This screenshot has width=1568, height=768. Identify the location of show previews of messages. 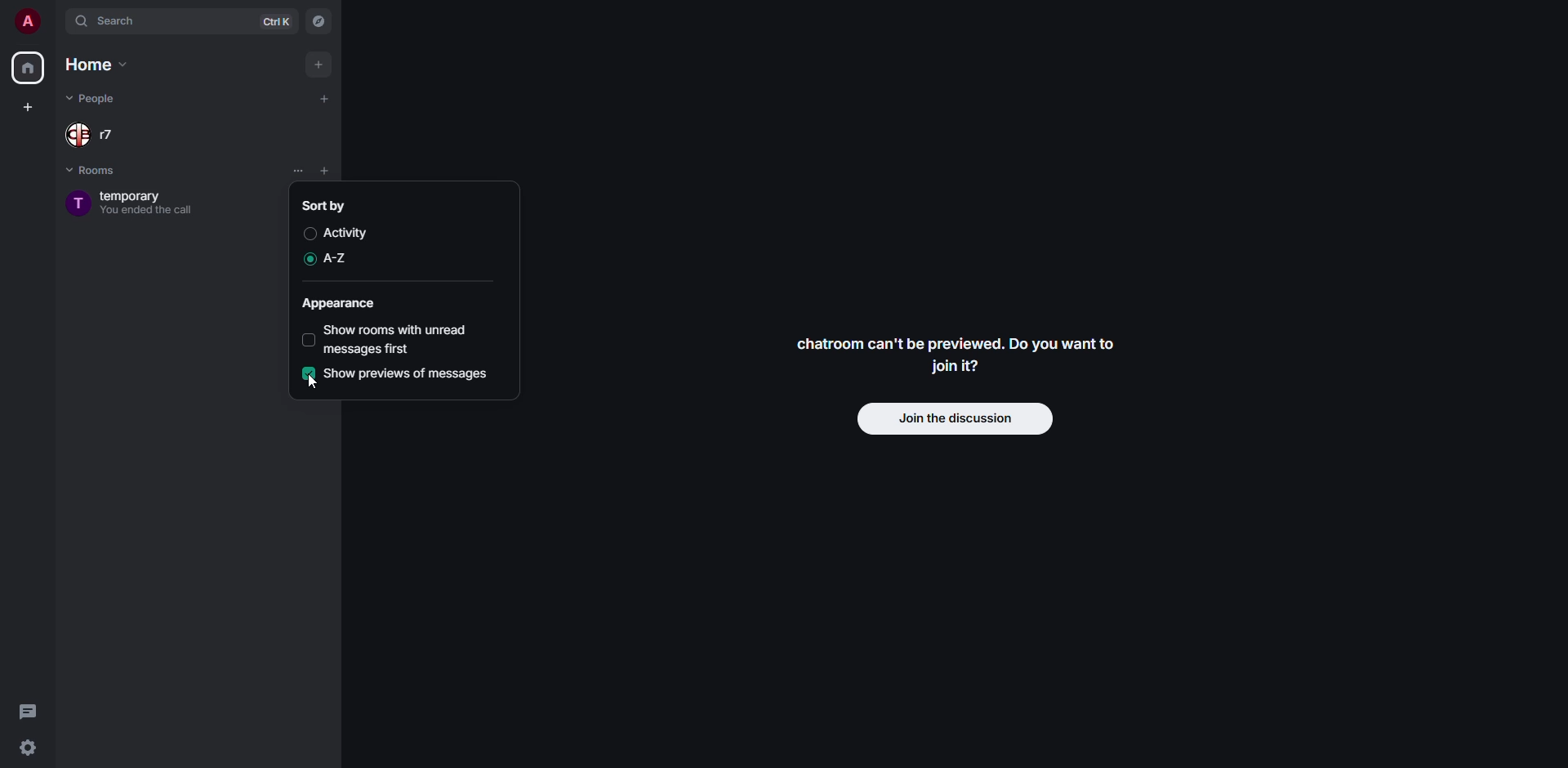
(410, 373).